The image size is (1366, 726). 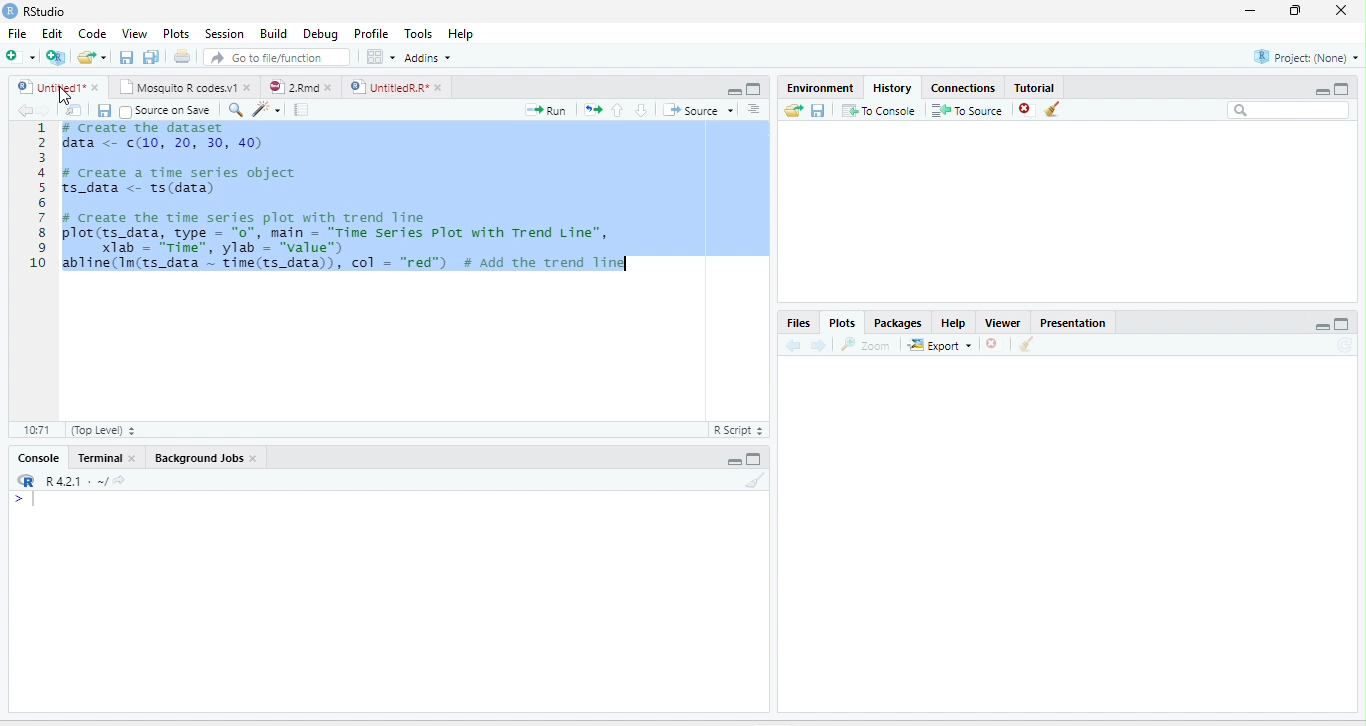 What do you see at coordinates (867, 344) in the screenshot?
I see `Zoom` at bounding box center [867, 344].